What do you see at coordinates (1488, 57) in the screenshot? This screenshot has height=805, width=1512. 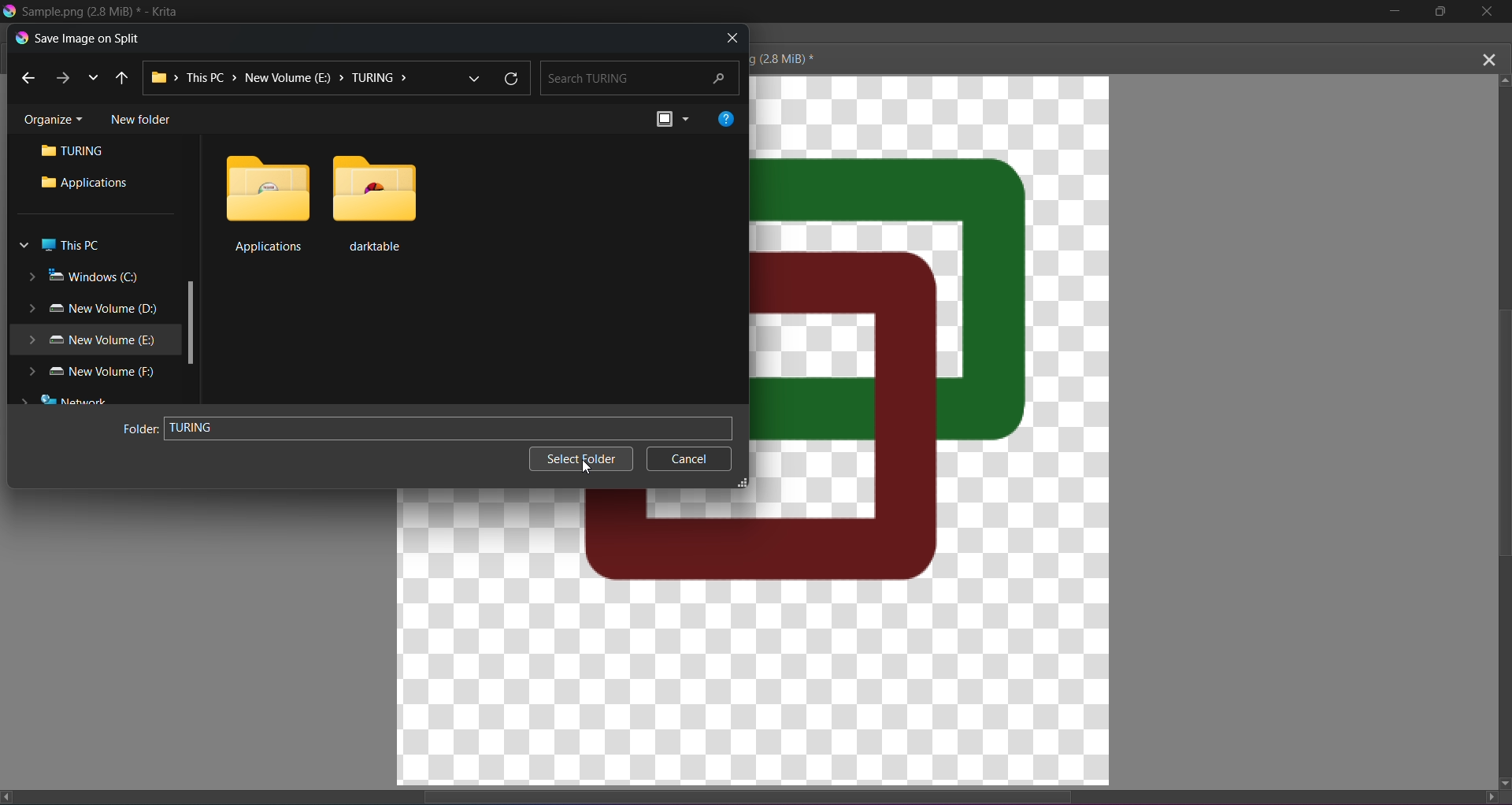 I see `Close Canvas` at bounding box center [1488, 57].